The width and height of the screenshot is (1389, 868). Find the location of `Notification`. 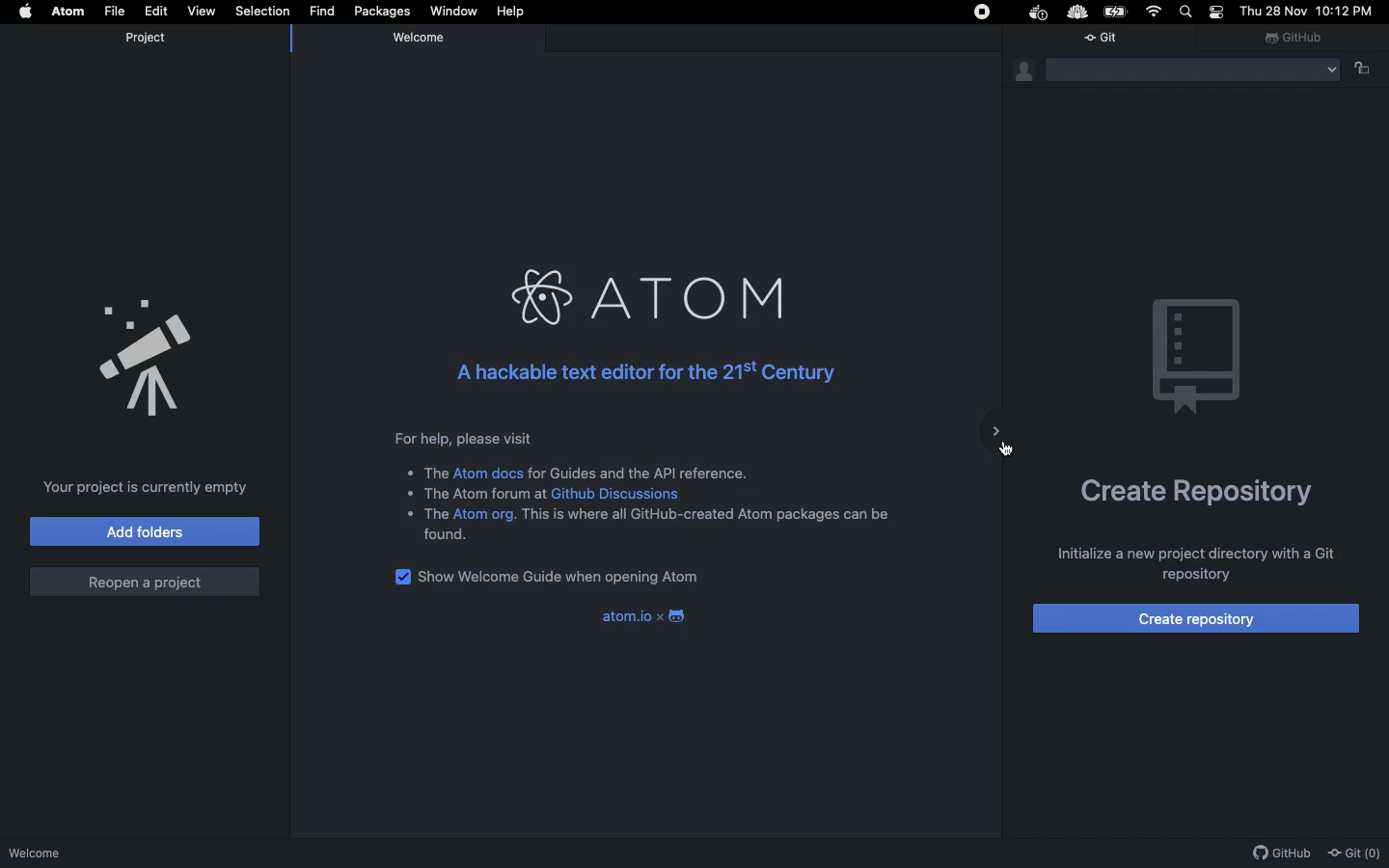

Notification is located at coordinates (1217, 12).